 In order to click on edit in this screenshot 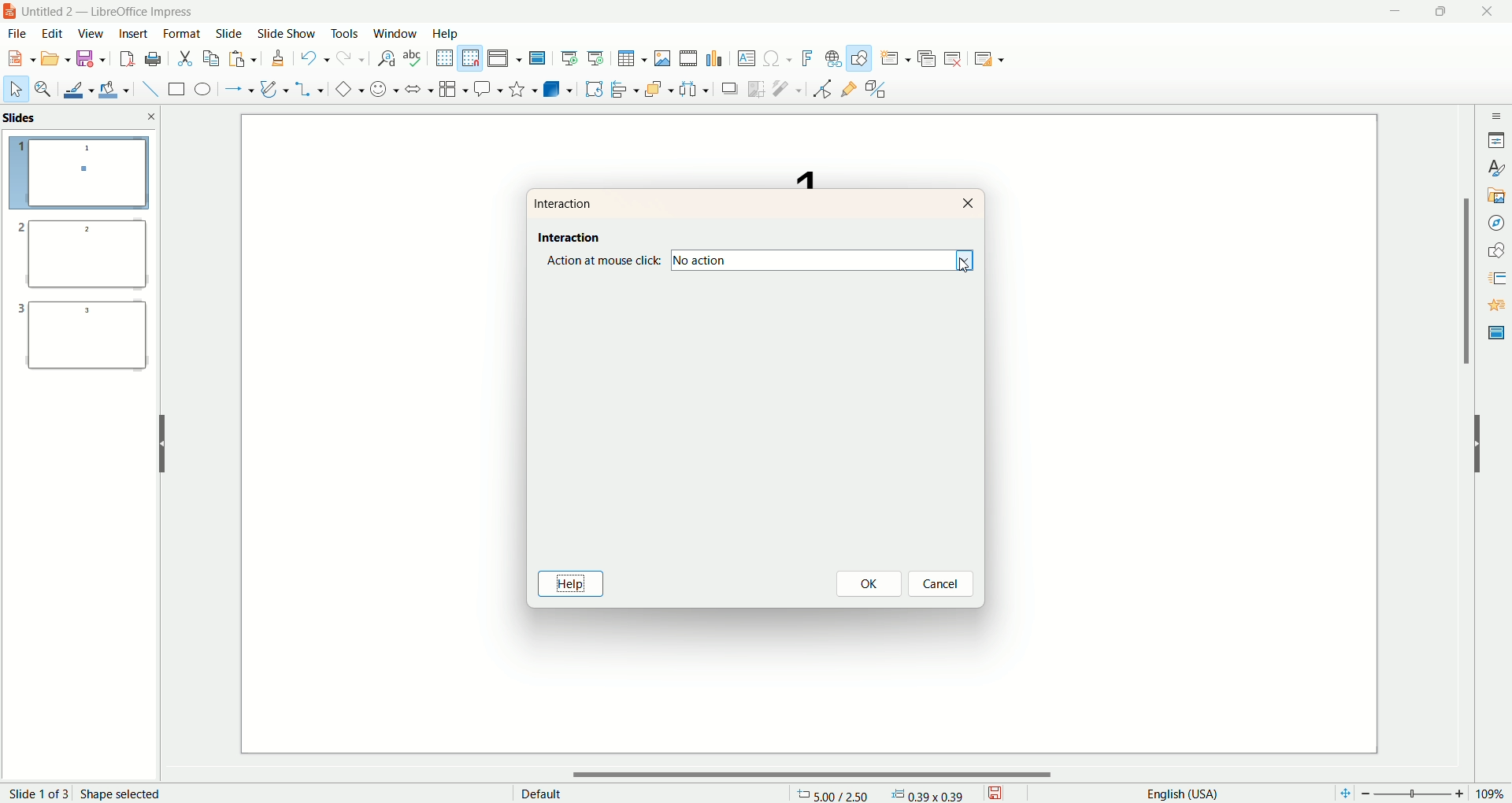, I will do `click(54, 34)`.